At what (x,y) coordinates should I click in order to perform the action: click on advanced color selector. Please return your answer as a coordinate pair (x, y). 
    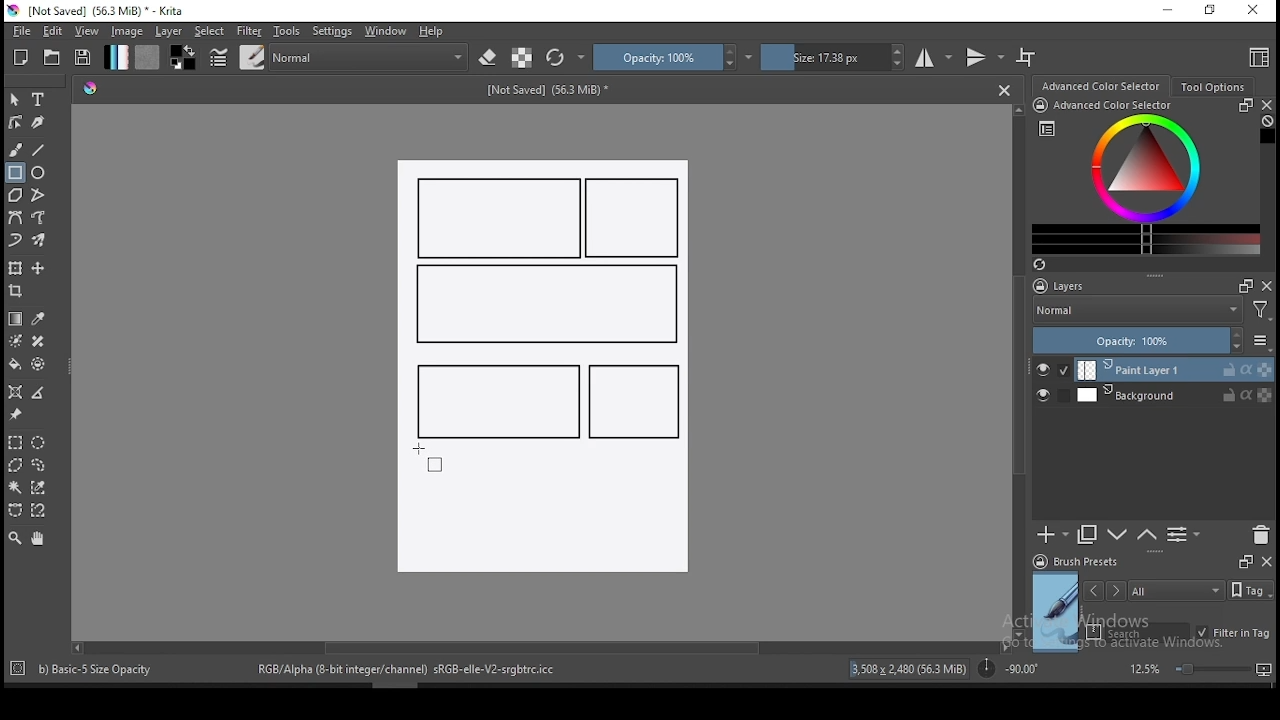
    Looking at the image, I should click on (1142, 176).